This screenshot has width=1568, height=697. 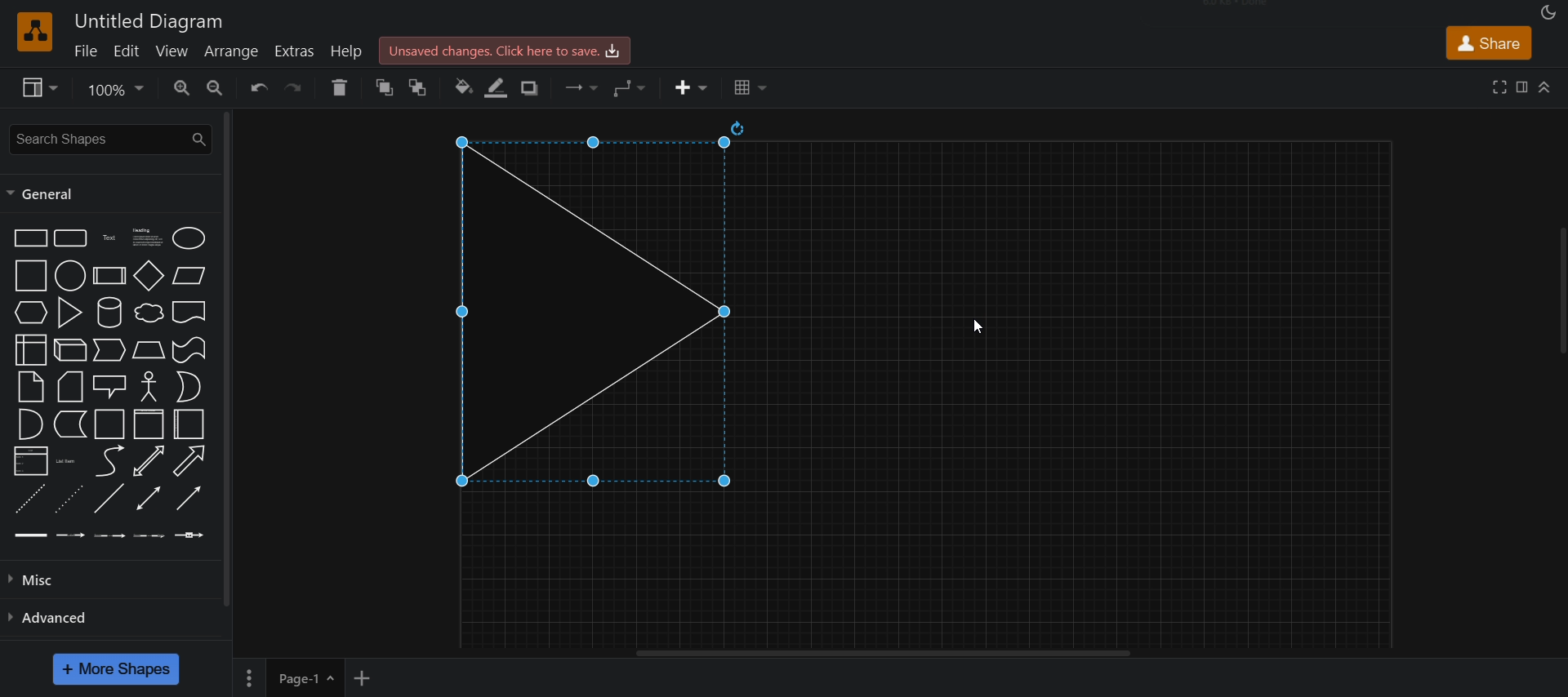 I want to click on text, so click(x=110, y=238).